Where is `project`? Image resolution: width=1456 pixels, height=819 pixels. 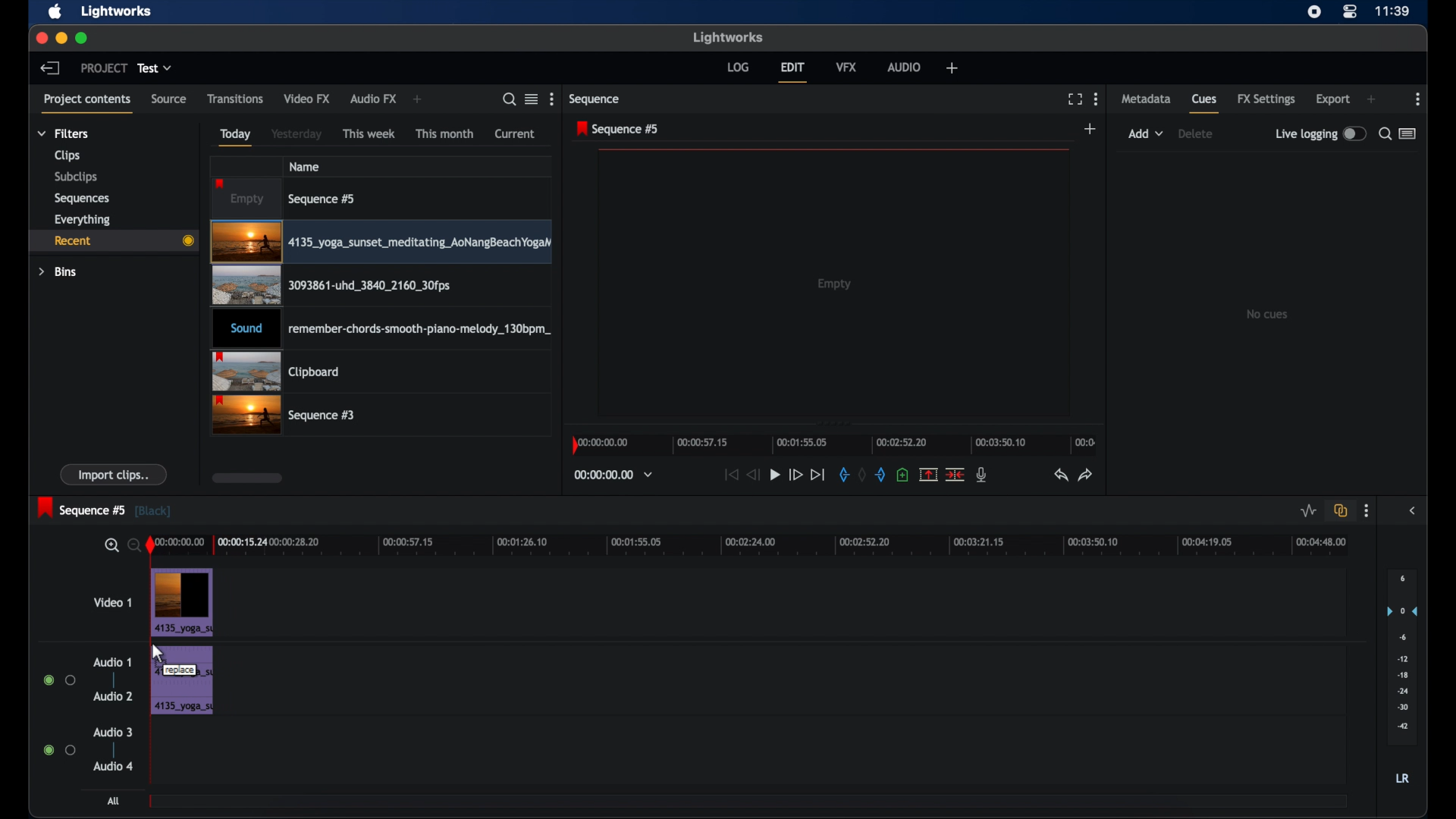
project is located at coordinates (103, 67).